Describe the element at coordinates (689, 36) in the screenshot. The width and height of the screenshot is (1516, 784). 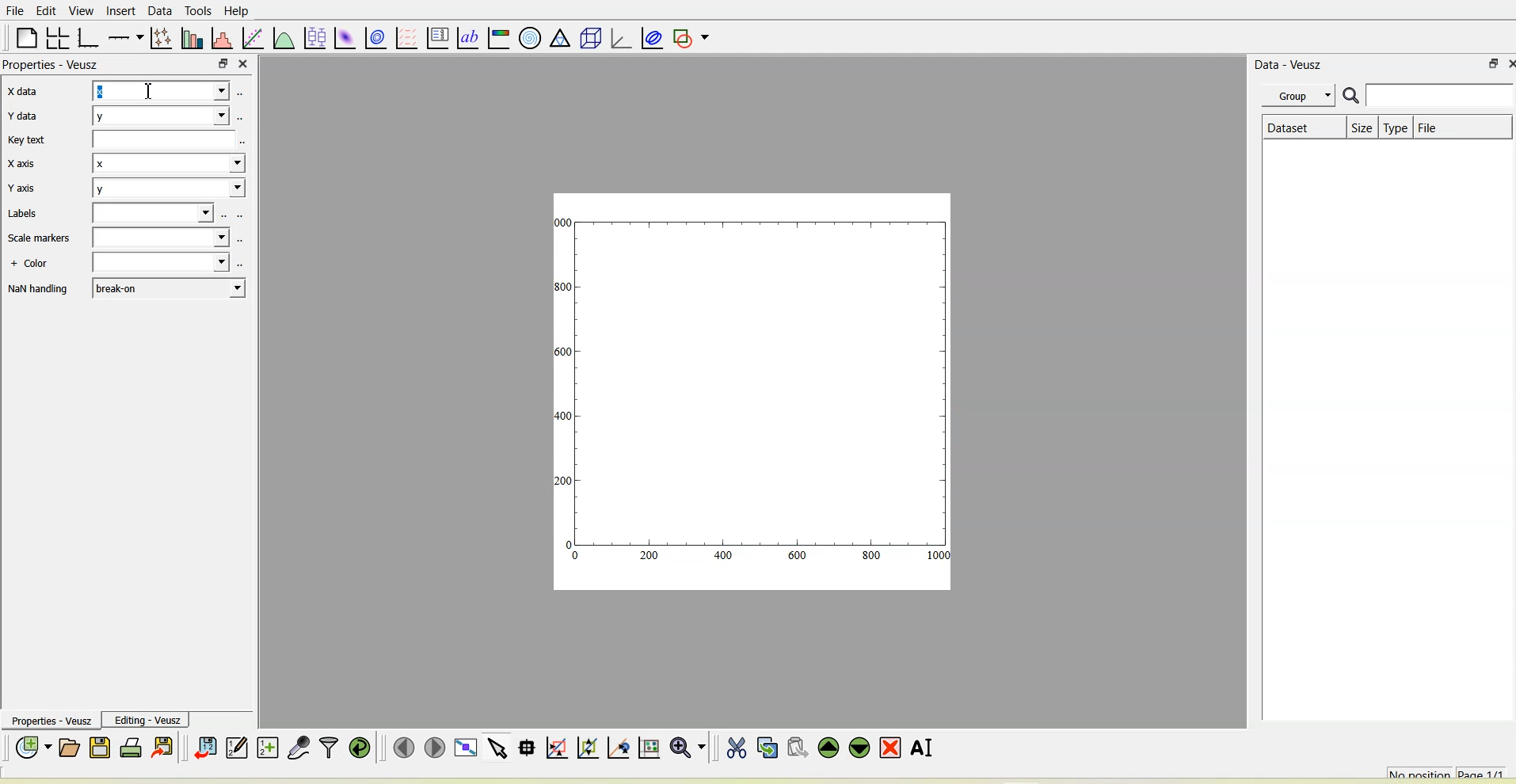
I see `Add a shape to the plot` at that location.